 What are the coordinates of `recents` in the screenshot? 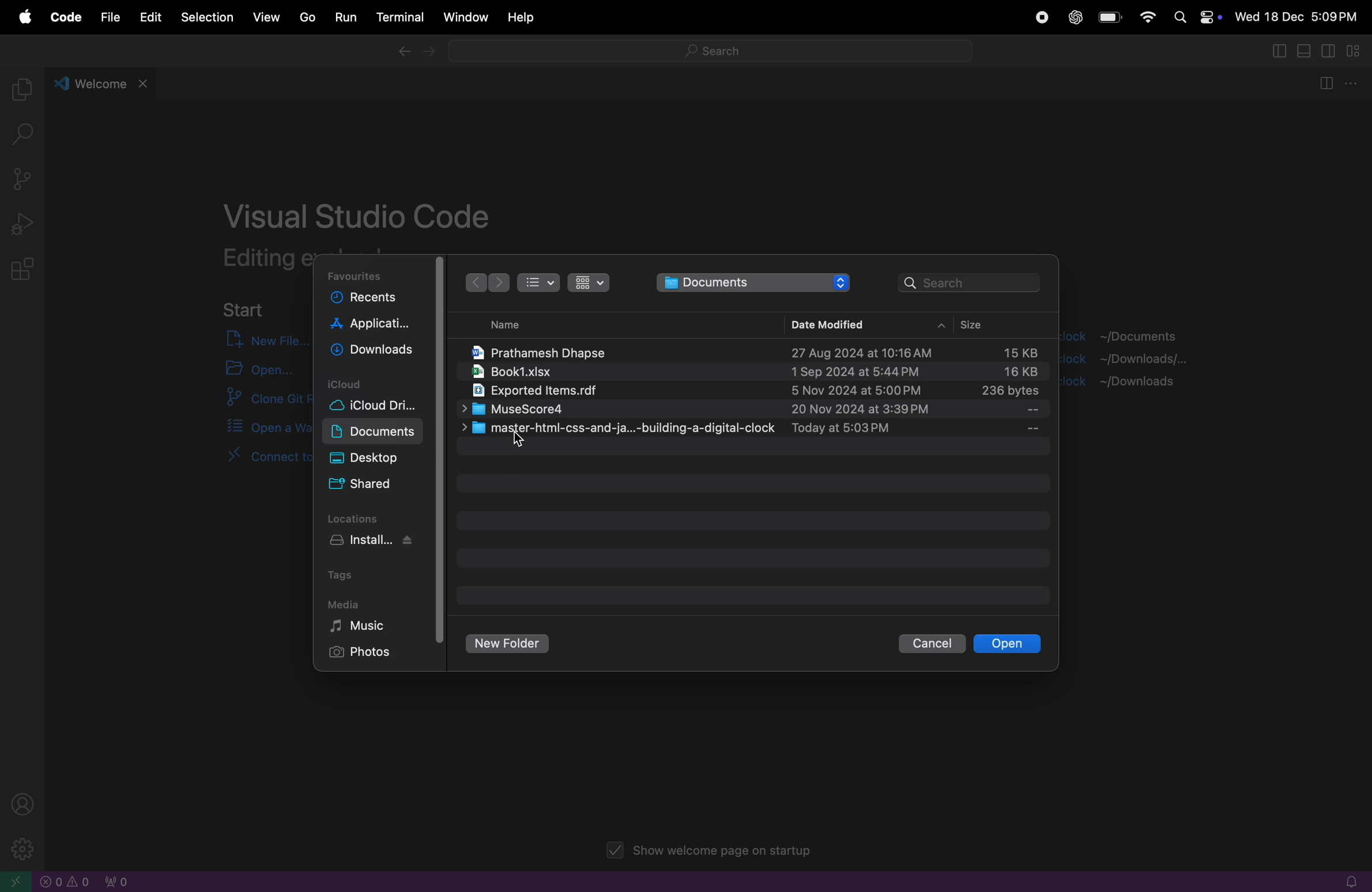 It's located at (372, 300).